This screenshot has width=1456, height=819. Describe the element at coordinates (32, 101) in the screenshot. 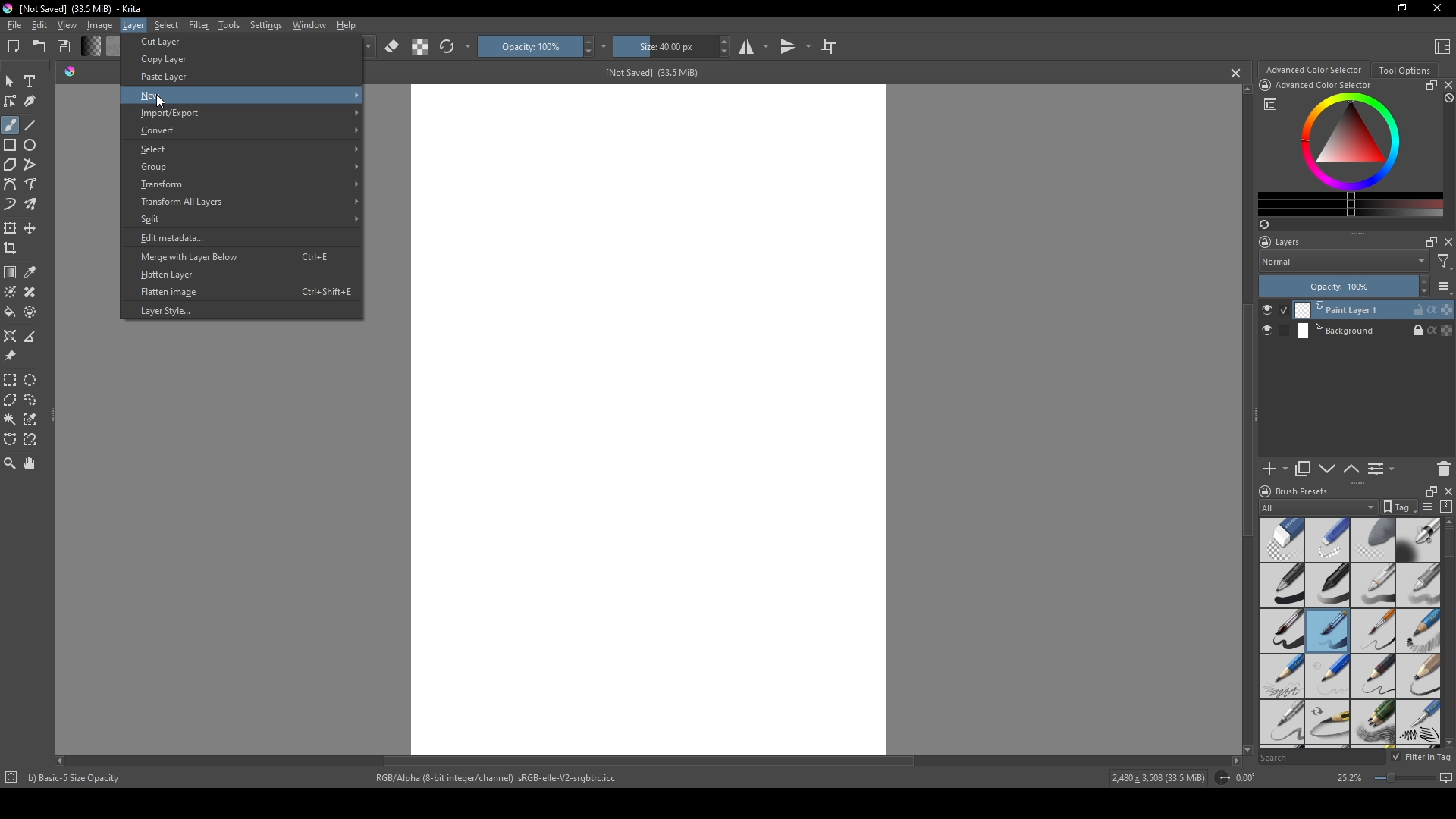

I see `calligraphy` at that location.